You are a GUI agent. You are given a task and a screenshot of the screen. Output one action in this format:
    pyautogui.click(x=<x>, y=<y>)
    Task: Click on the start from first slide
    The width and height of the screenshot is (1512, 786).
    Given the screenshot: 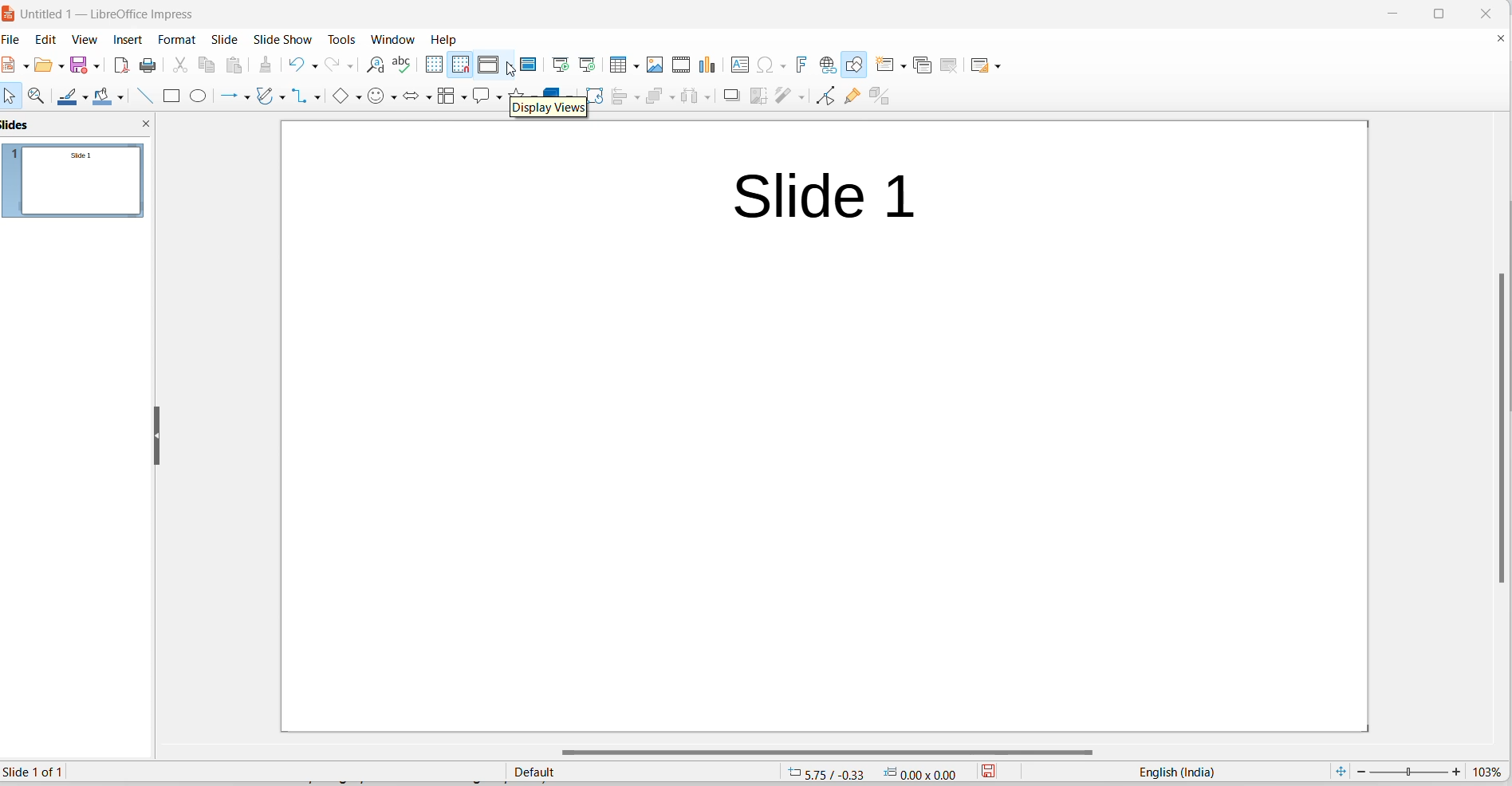 What is the action you would take?
    pyautogui.click(x=561, y=64)
    